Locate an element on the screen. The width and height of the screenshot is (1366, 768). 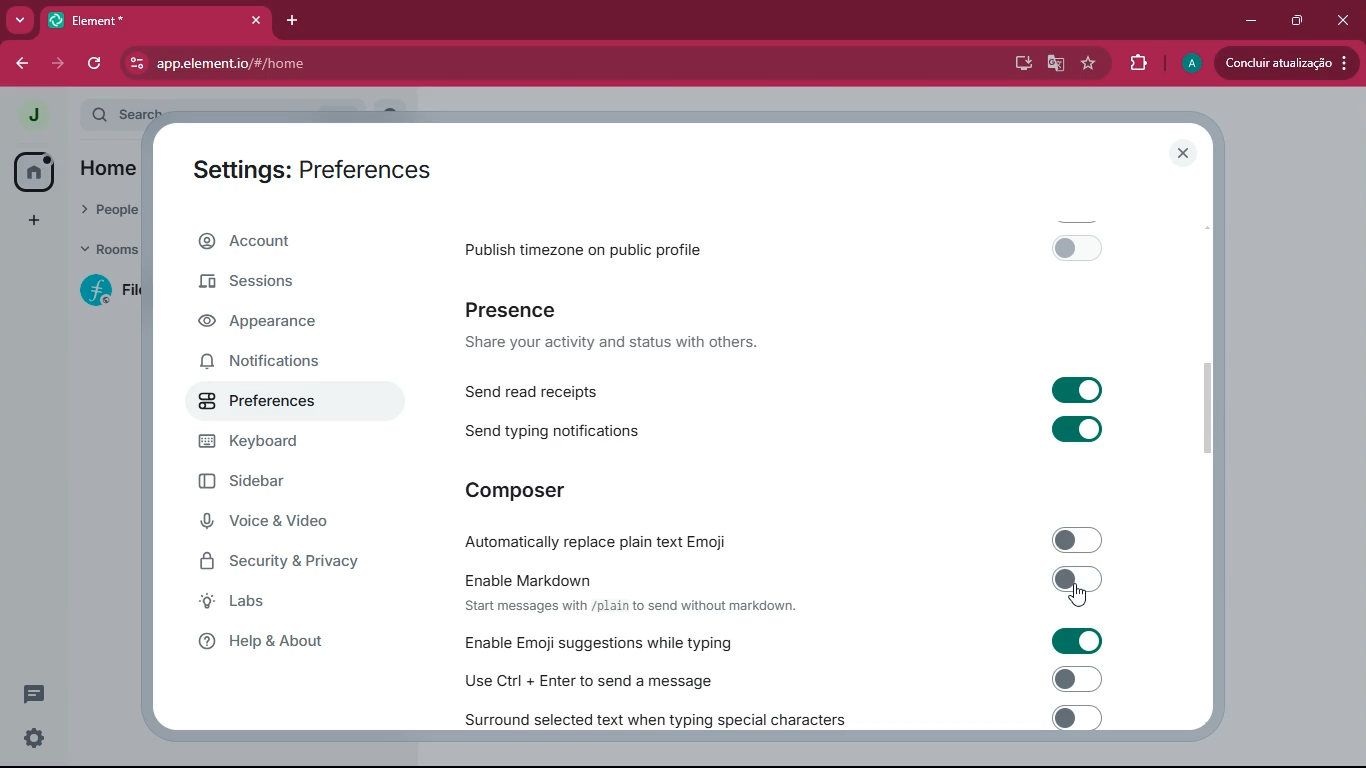
profile is located at coordinates (31, 113).